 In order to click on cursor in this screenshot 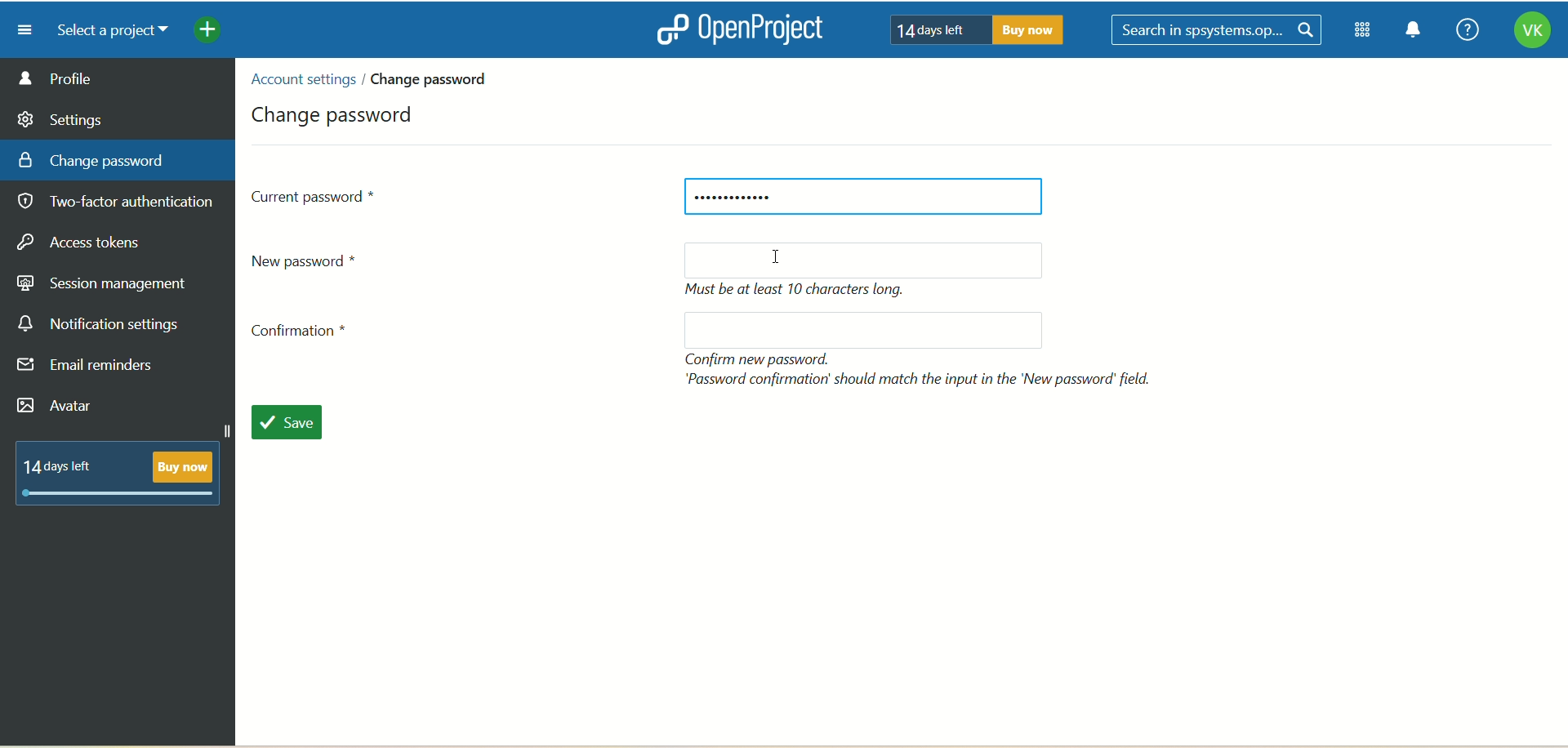, I will do `click(783, 257)`.